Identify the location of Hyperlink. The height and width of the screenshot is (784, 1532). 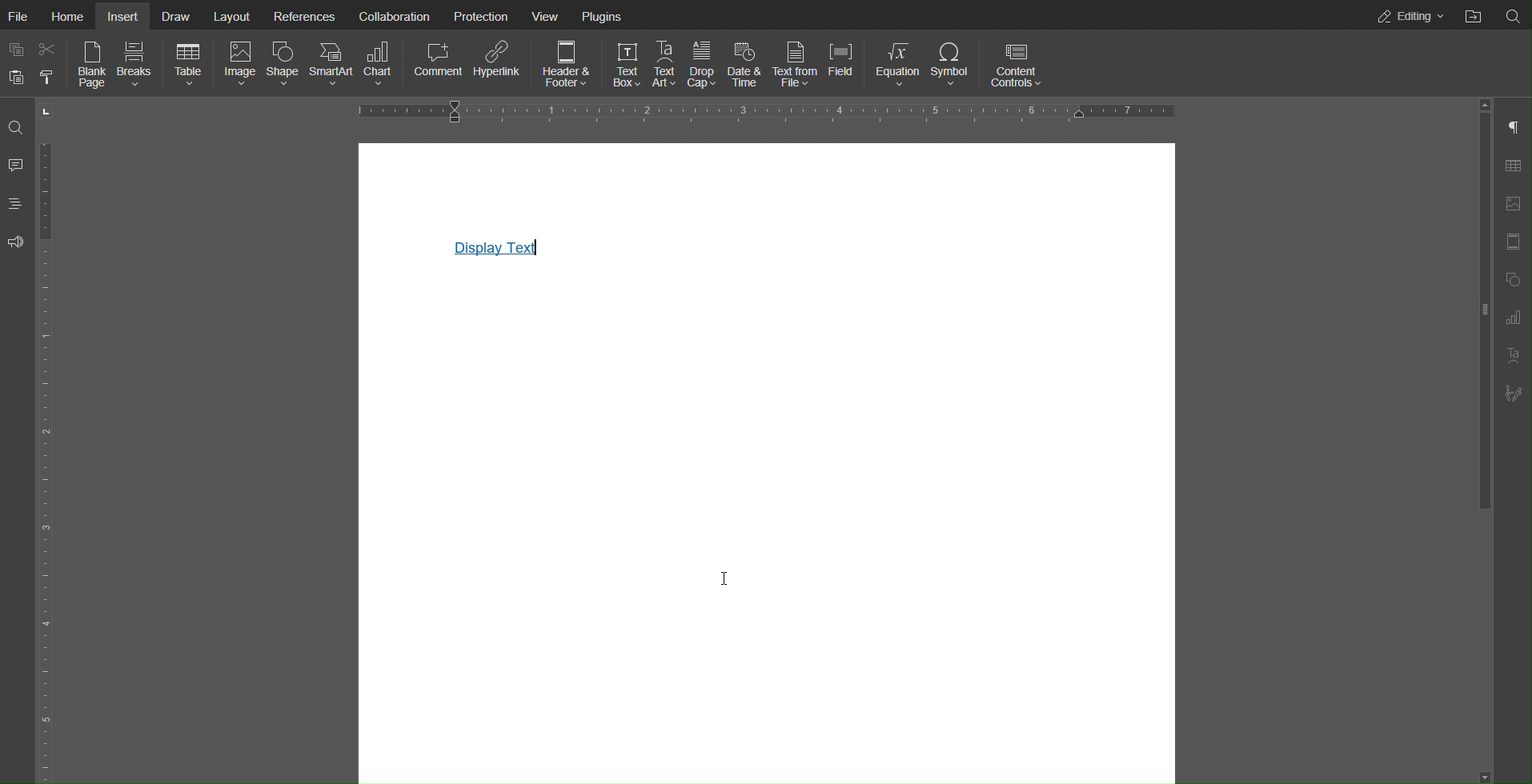
(496, 64).